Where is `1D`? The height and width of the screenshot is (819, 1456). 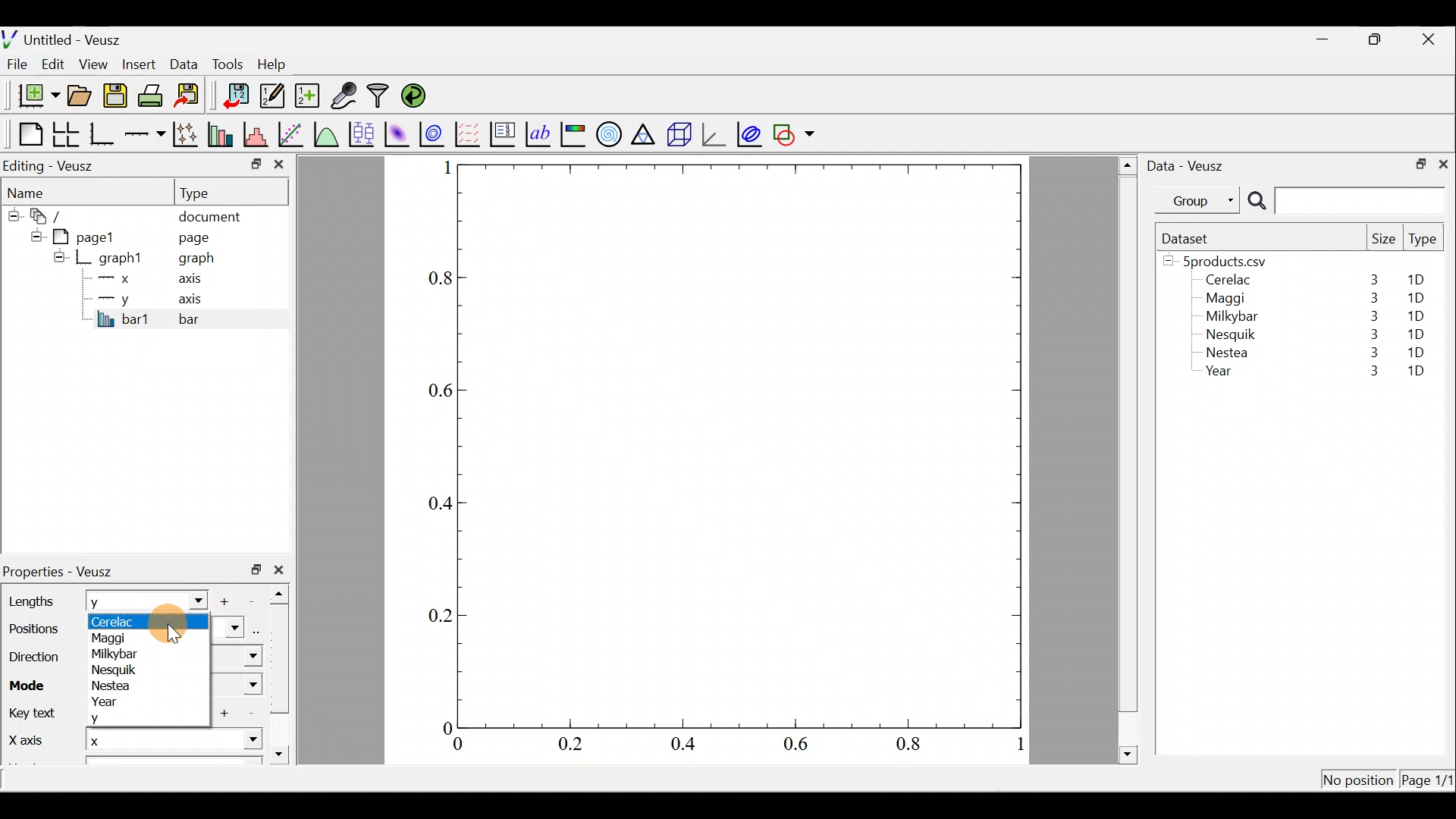 1D is located at coordinates (1416, 372).